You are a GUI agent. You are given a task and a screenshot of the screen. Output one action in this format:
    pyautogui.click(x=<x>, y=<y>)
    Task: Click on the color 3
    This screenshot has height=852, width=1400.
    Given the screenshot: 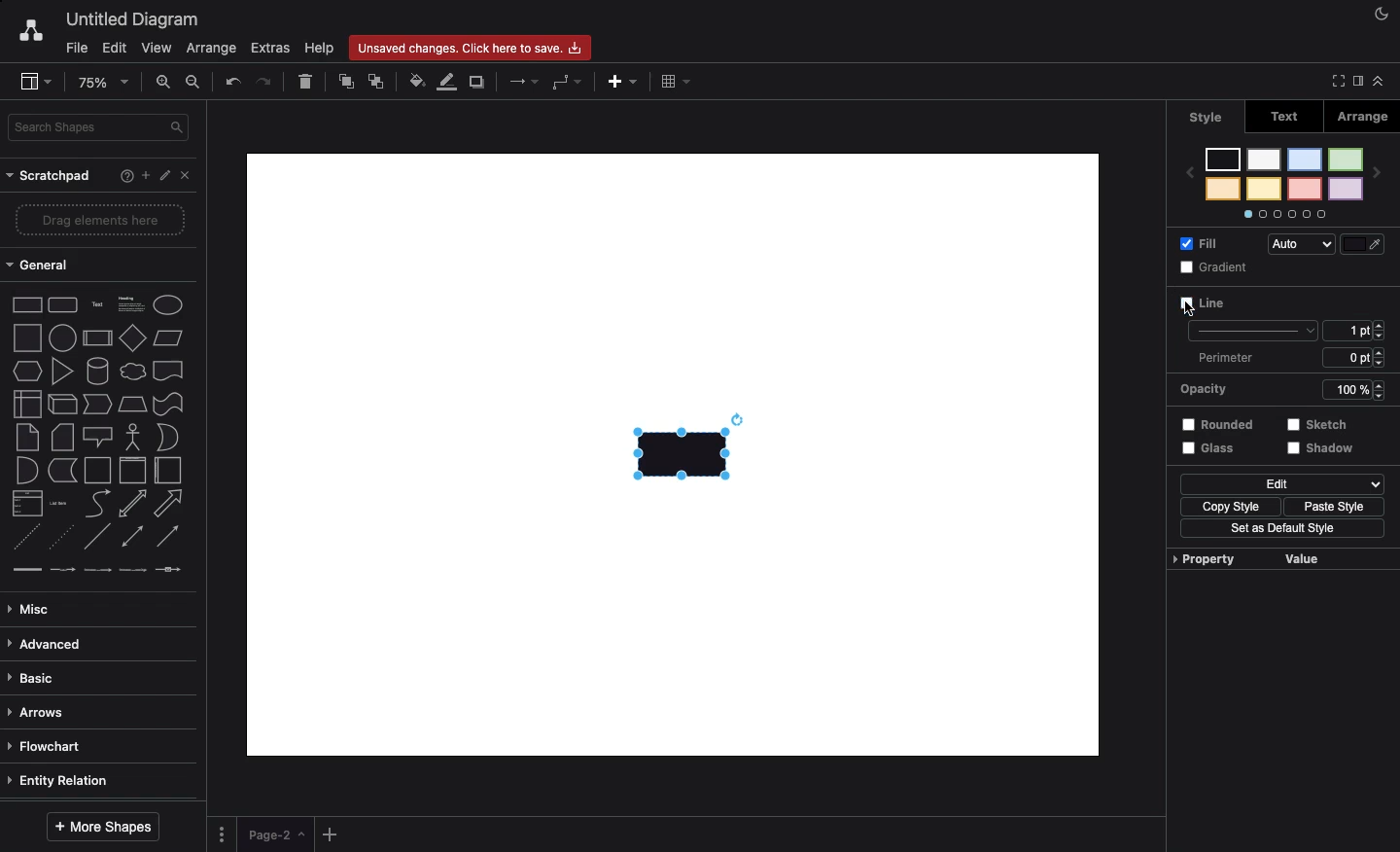 What is the action you would take?
    pyautogui.click(x=1304, y=160)
    